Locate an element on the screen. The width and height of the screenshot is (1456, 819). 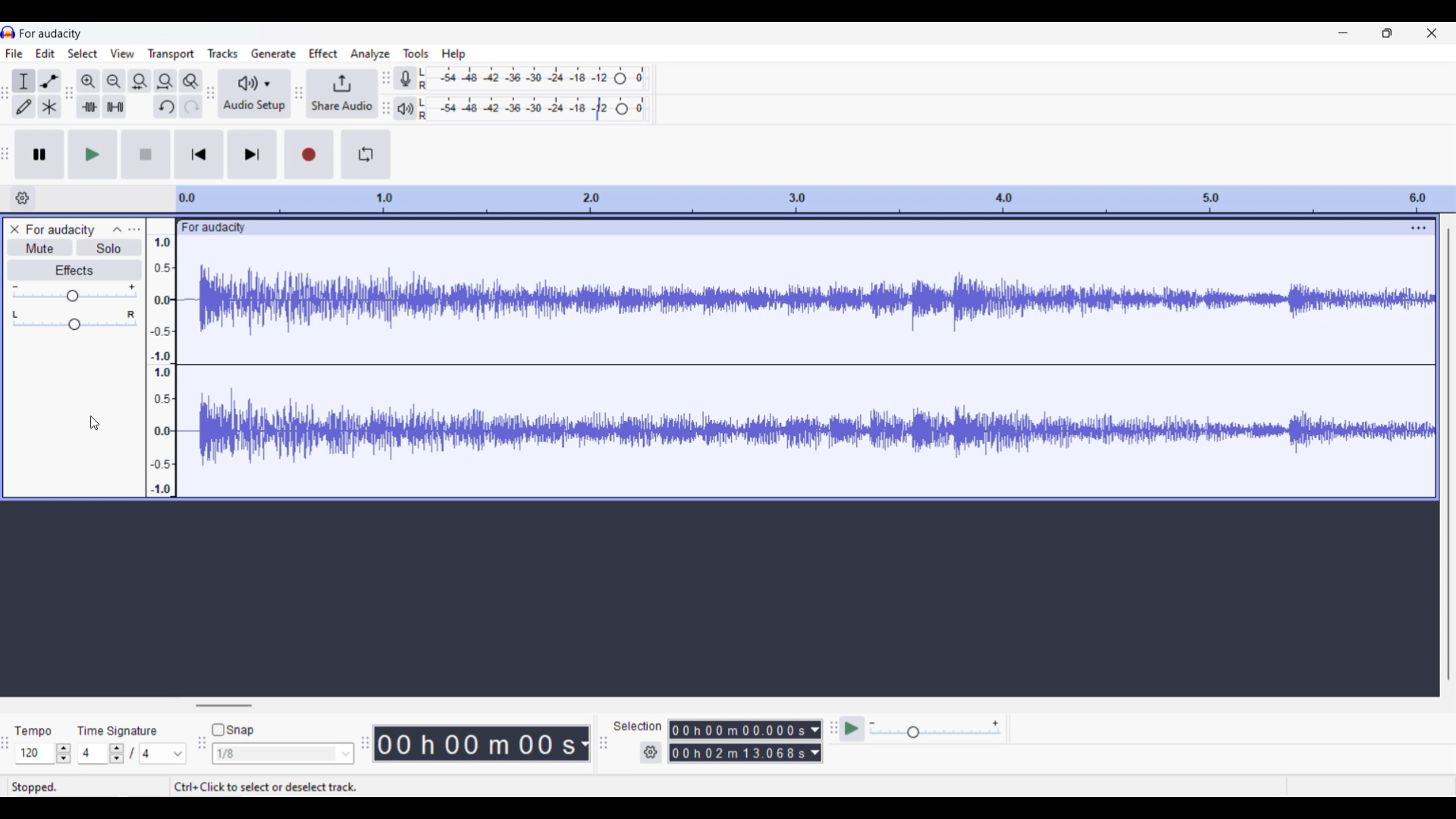
120 is located at coordinates (43, 753).